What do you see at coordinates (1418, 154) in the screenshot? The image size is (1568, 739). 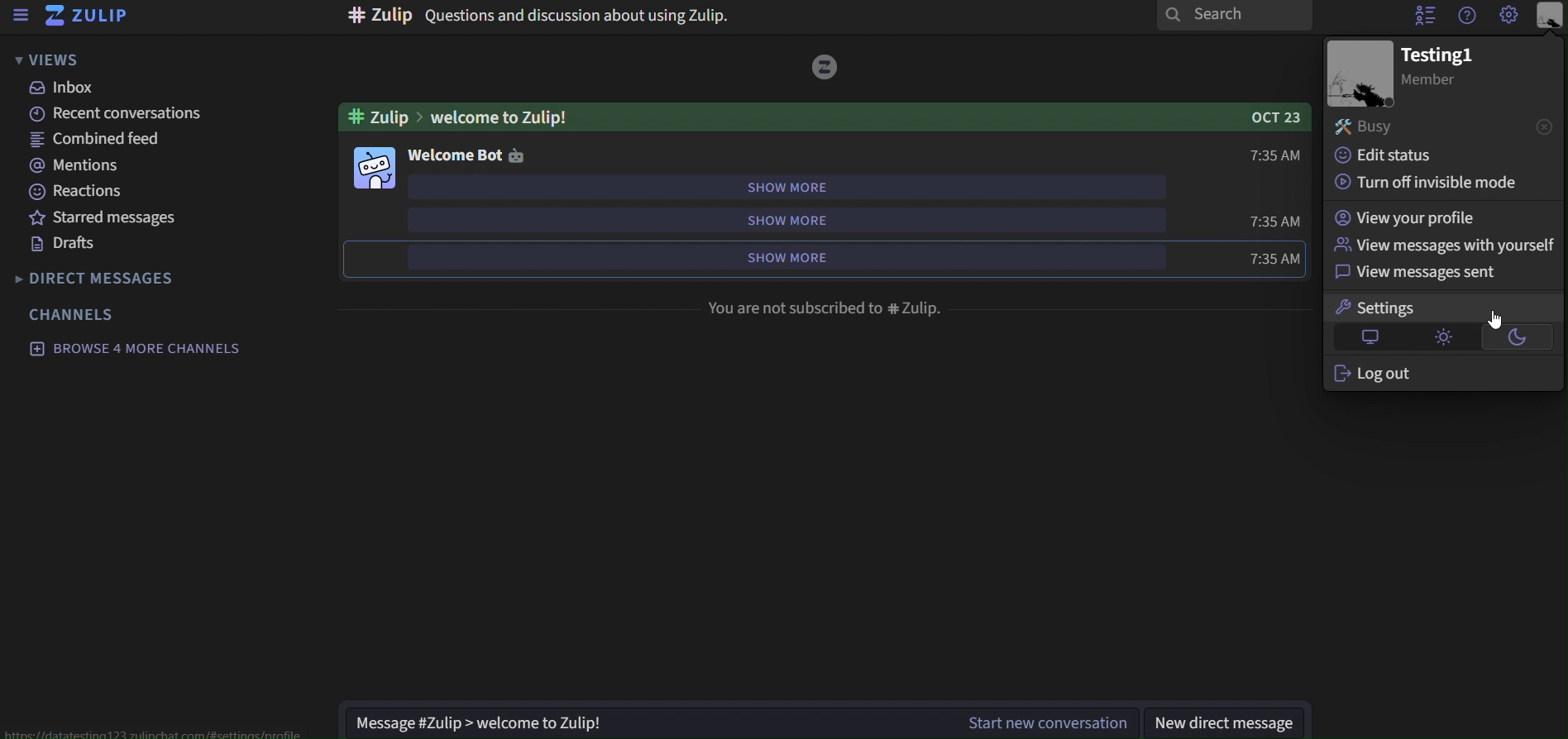 I see `edit status` at bounding box center [1418, 154].